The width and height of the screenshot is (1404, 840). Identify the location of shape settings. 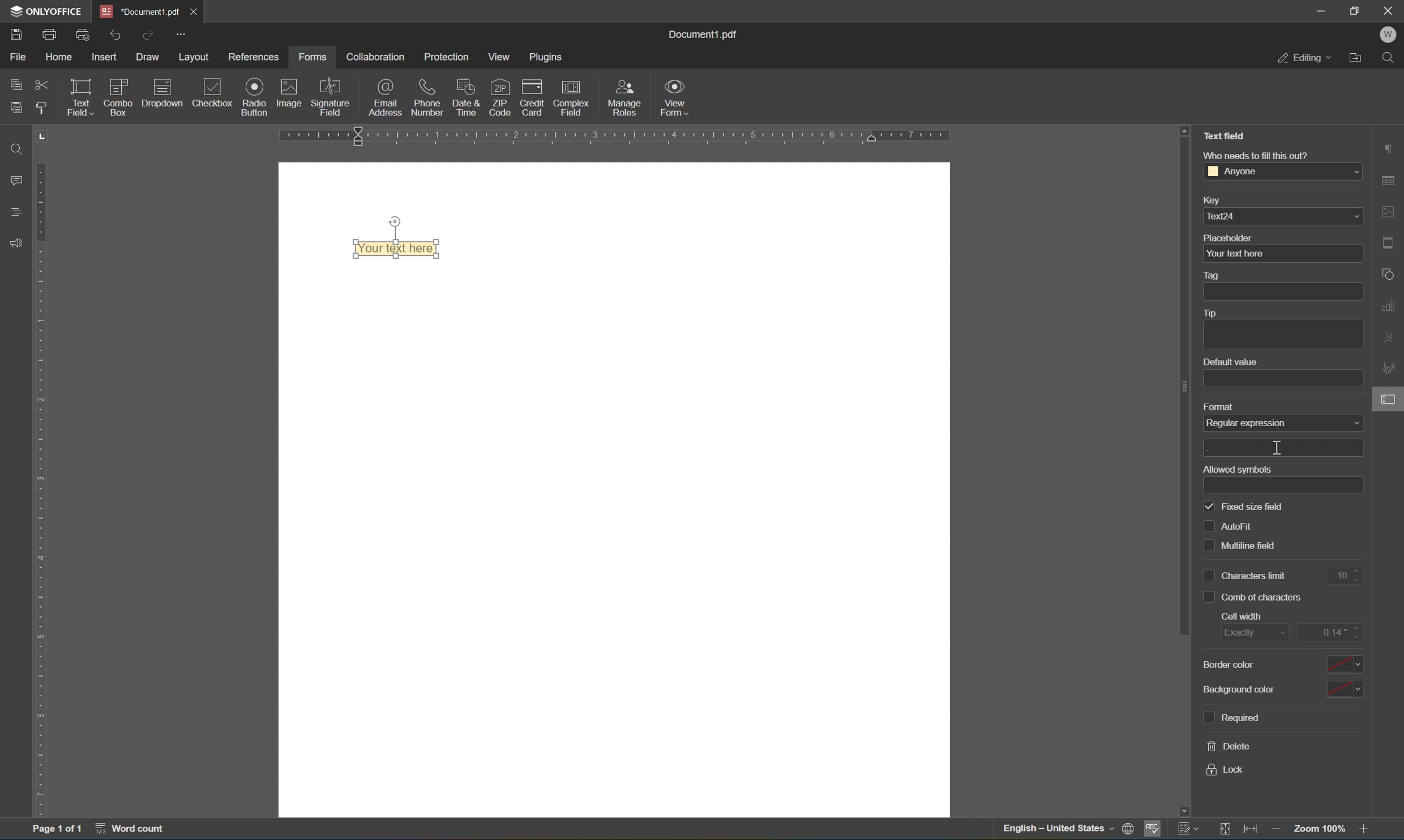
(1390, 273).